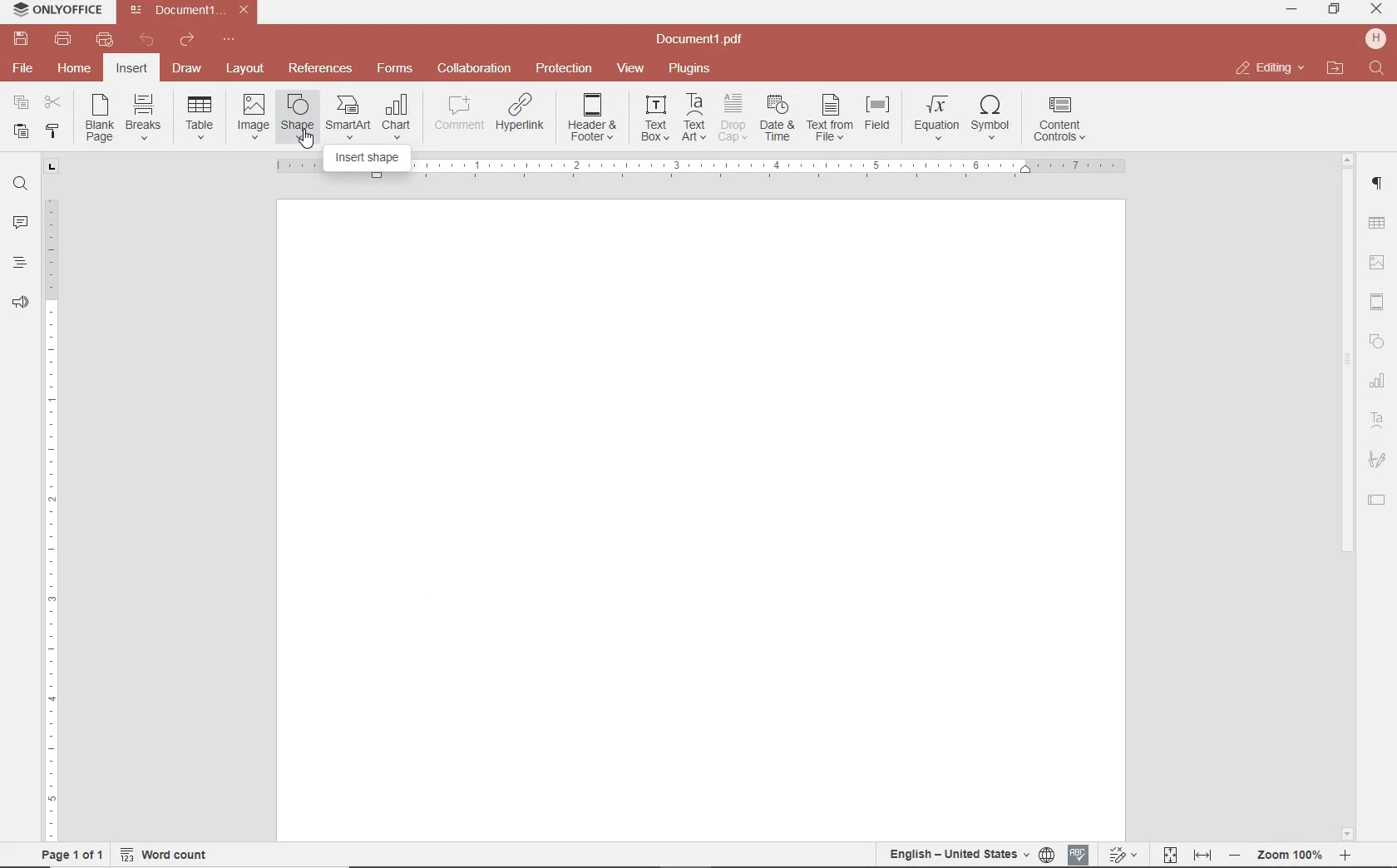 The image size is (1397, 868). Describe the element at coordinates (1380, 10) in the screenshot. I see `minimize ,restore ,close` at that location.